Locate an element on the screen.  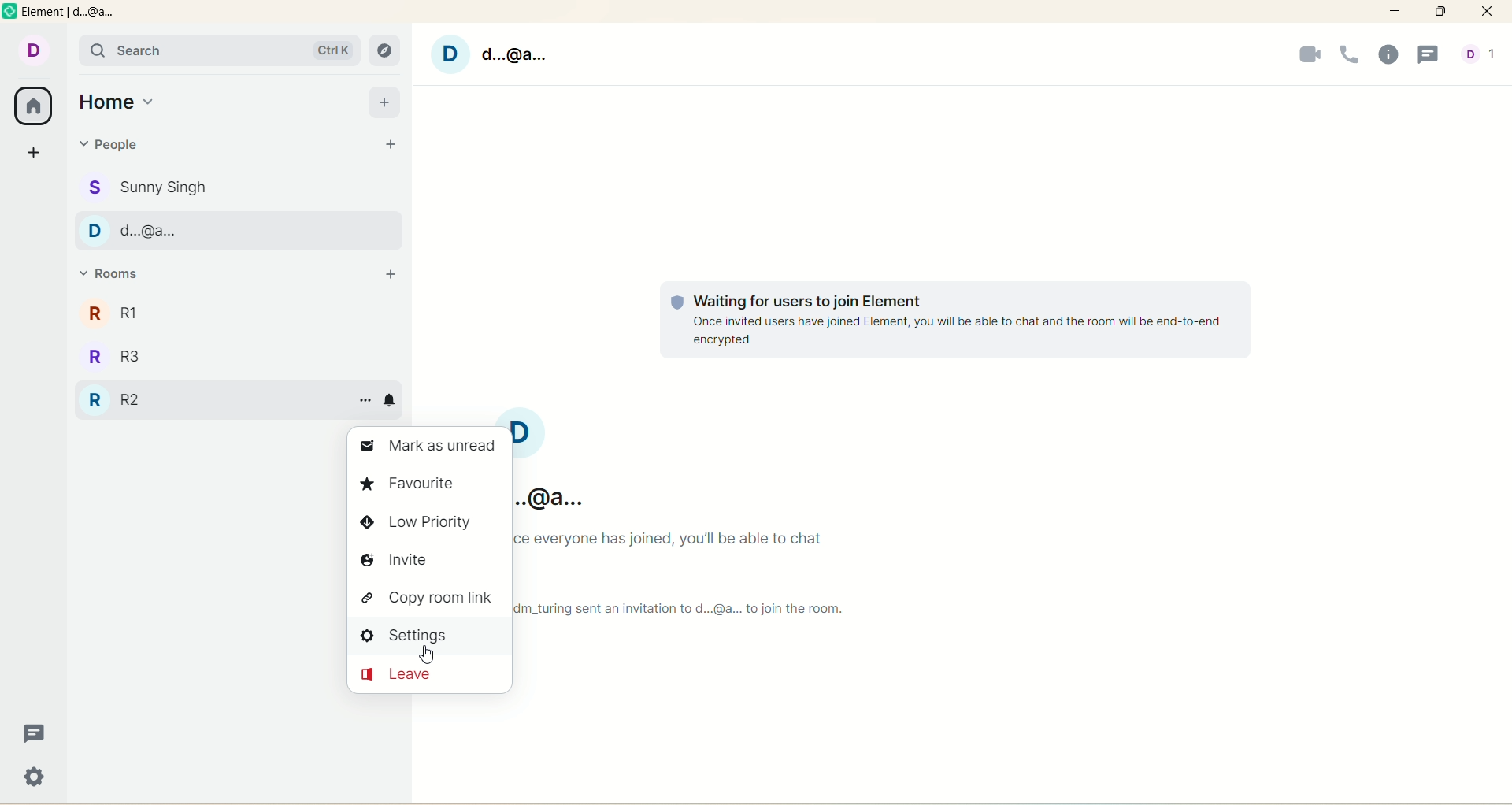
all rooms is located at coordinates (35, 106).